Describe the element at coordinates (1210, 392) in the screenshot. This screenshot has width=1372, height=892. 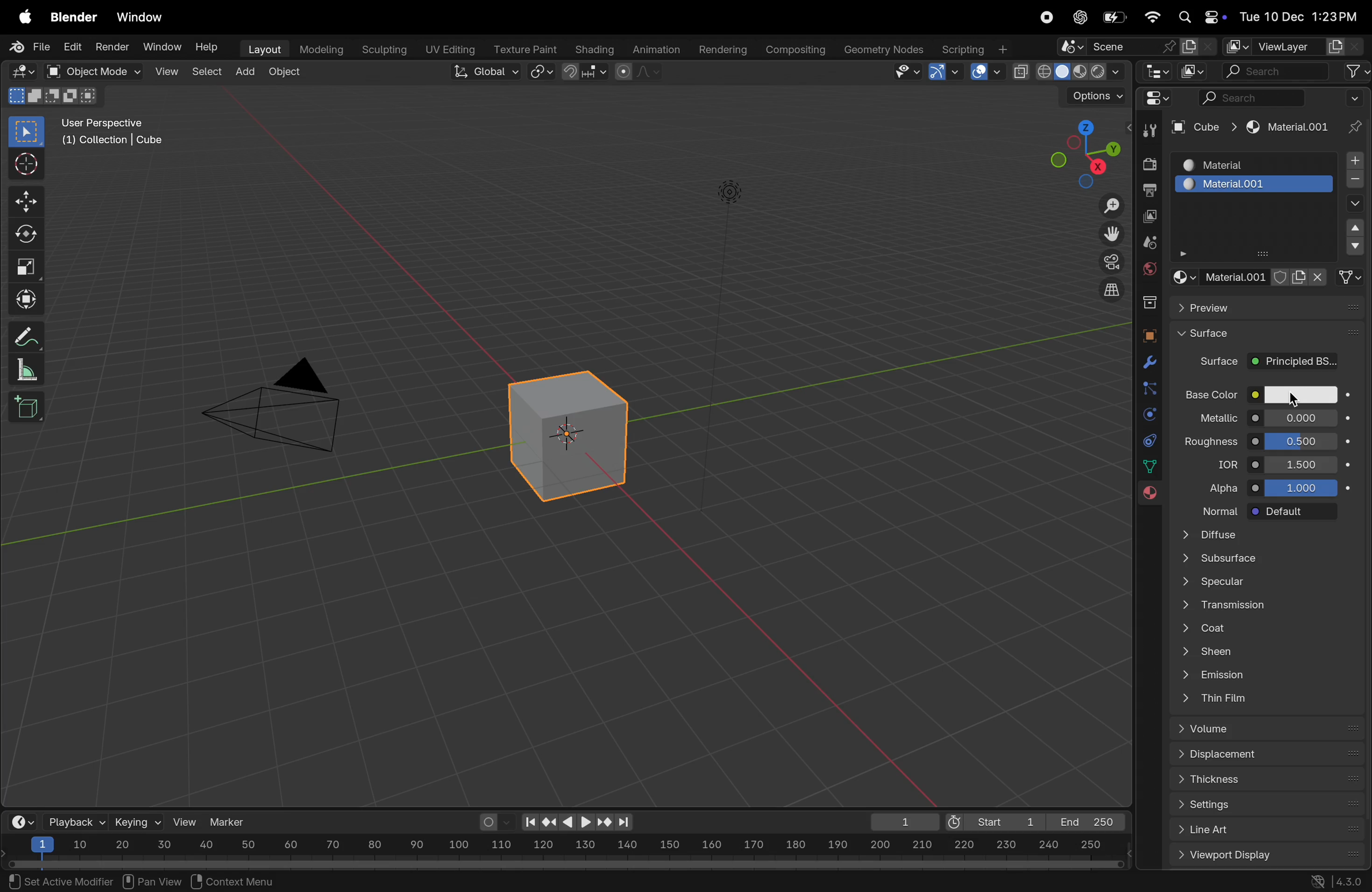
I see `base color` at that location.